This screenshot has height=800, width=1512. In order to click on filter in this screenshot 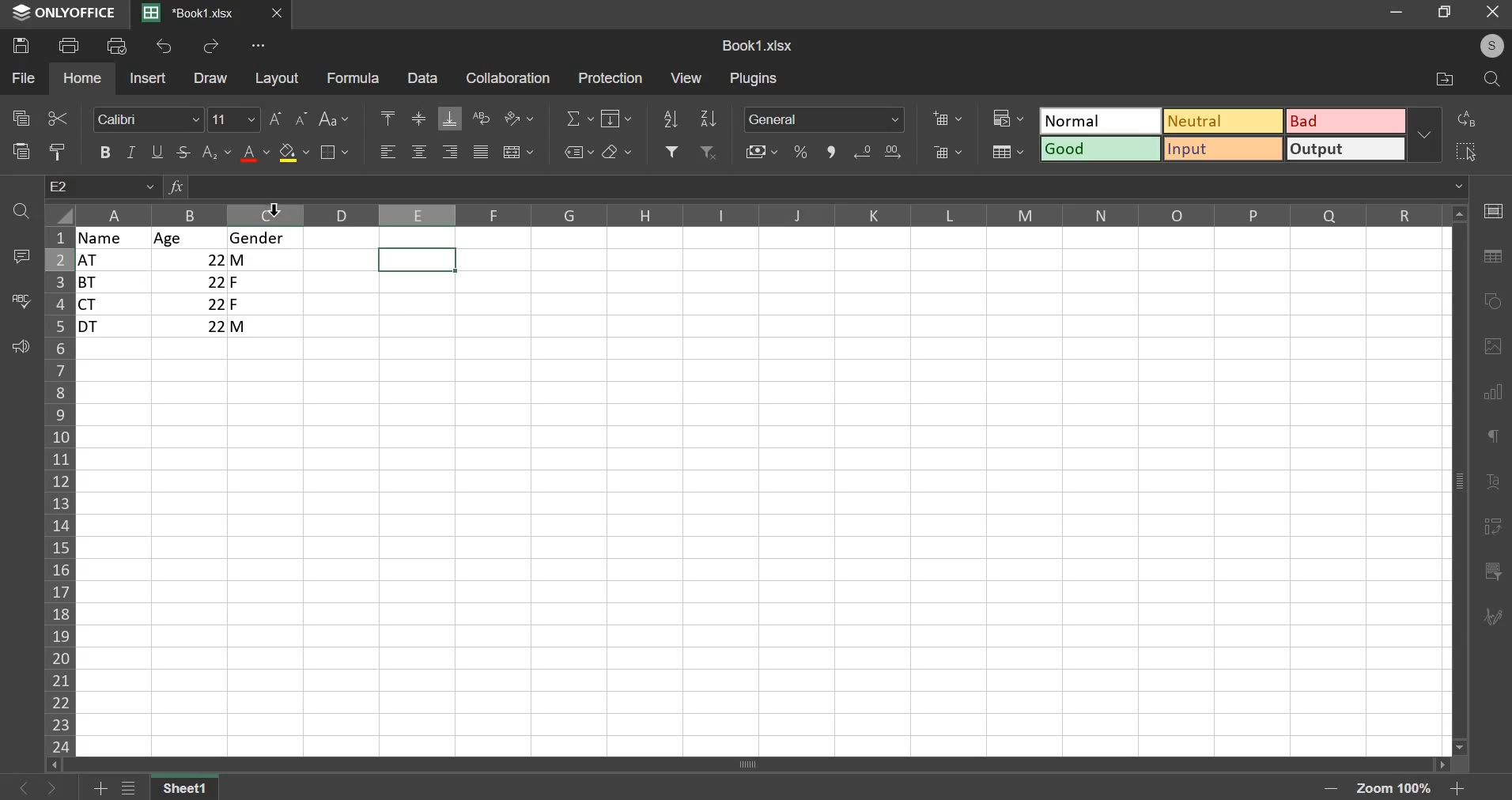, I will do `click(673, 149)`.